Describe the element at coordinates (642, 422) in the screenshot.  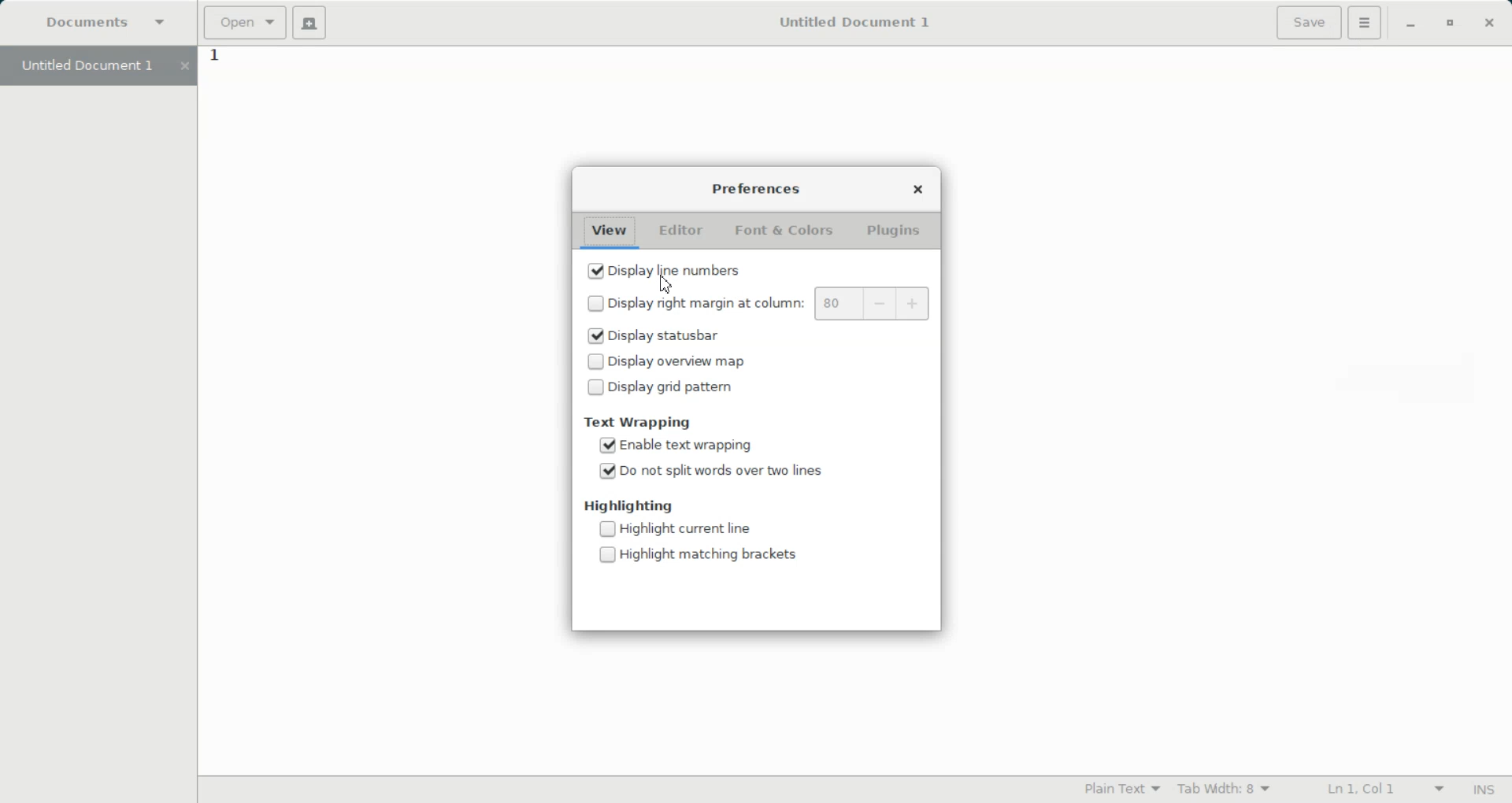
I see `Text Wrapping` at that location.